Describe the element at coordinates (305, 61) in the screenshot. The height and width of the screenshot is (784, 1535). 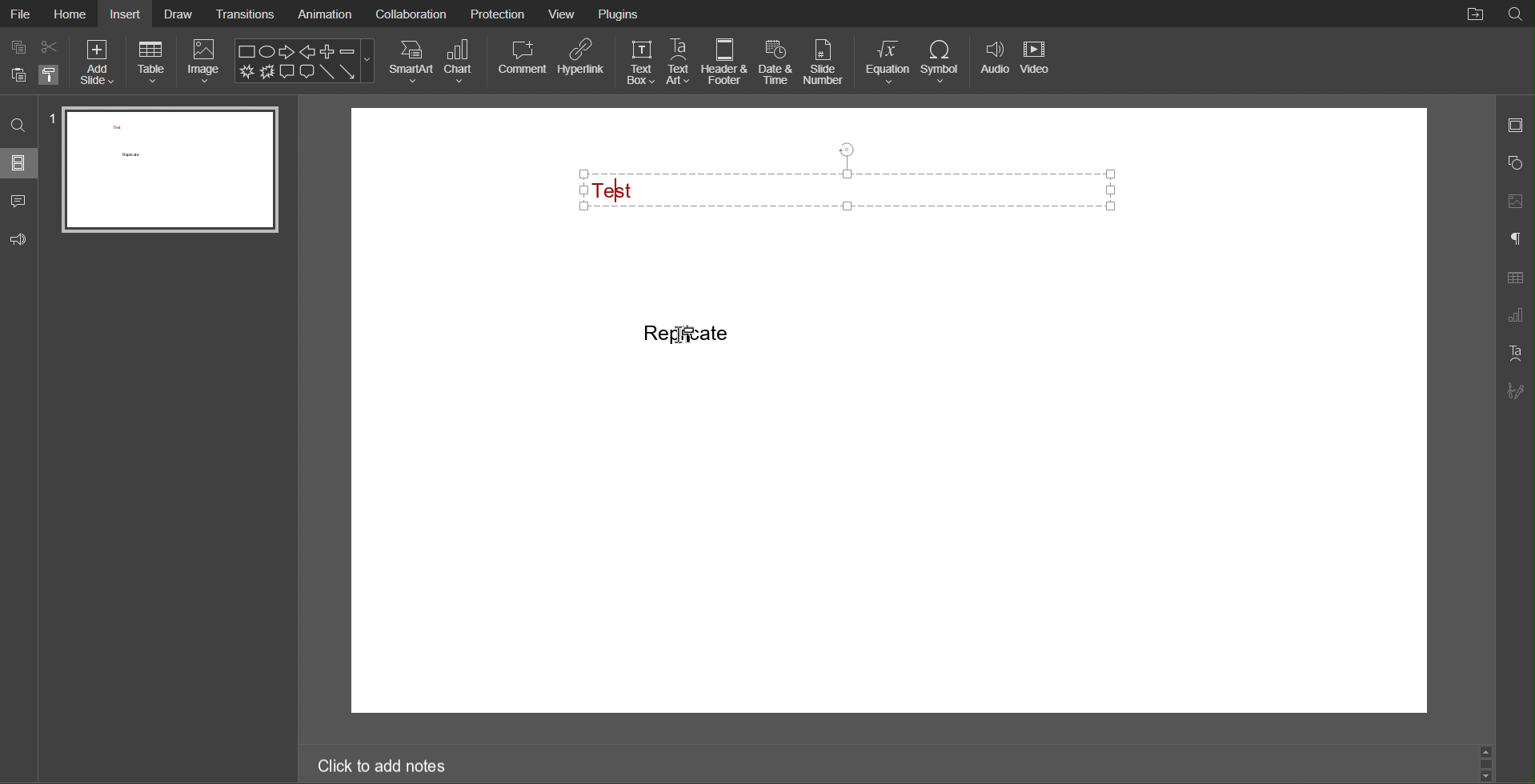
I see `Shape Menu` at that location.